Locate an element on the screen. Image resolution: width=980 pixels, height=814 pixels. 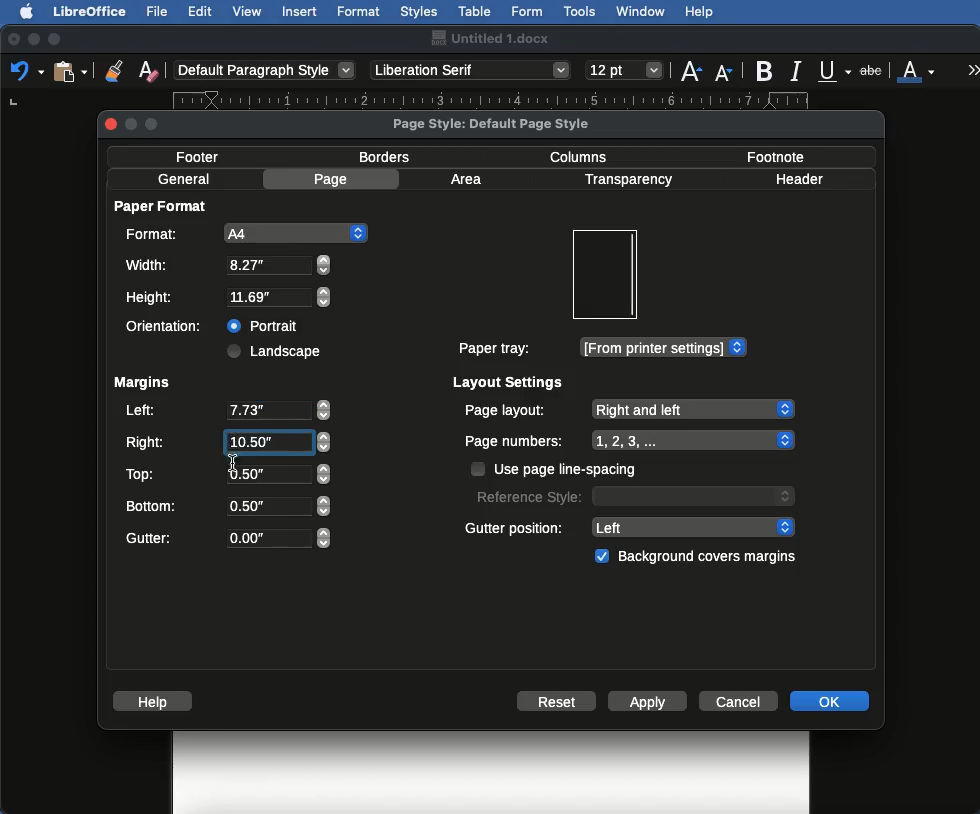
Columns is located at coordinates (584, 155).